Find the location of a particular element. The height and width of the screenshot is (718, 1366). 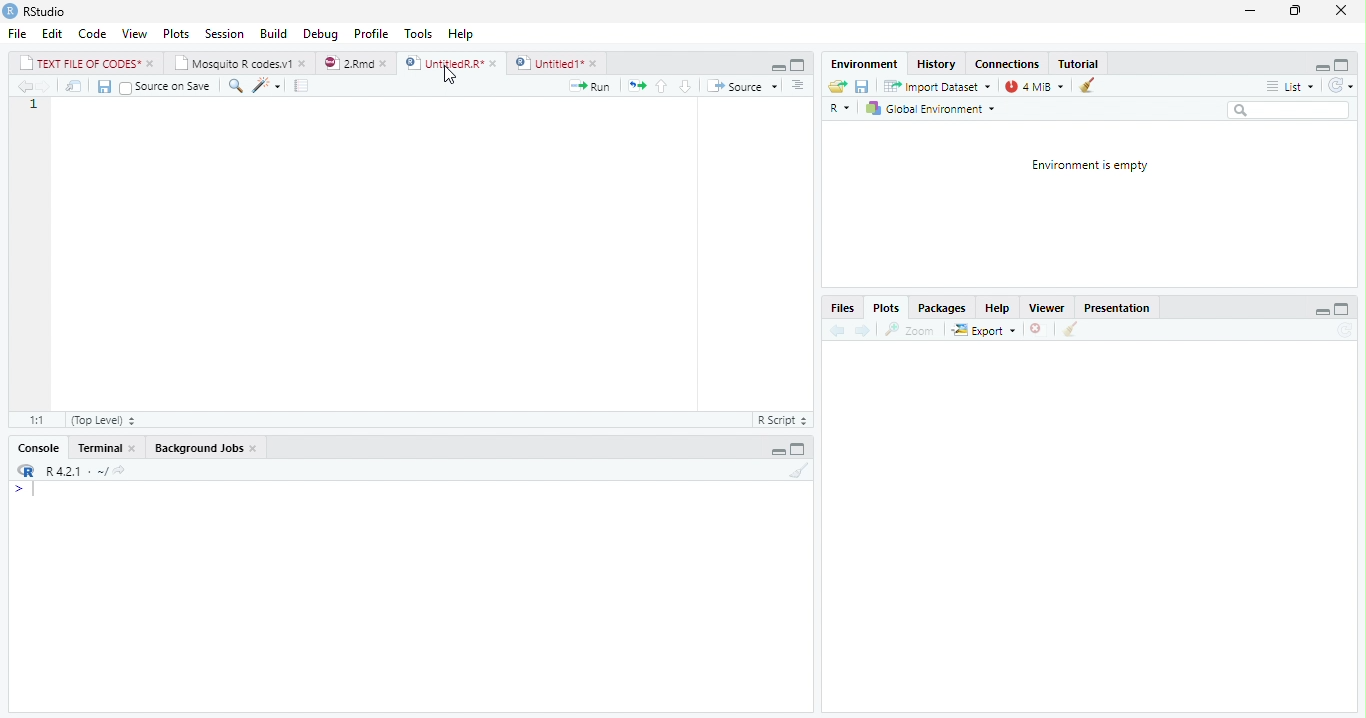

minimize is located at coordinates (1249, 13).